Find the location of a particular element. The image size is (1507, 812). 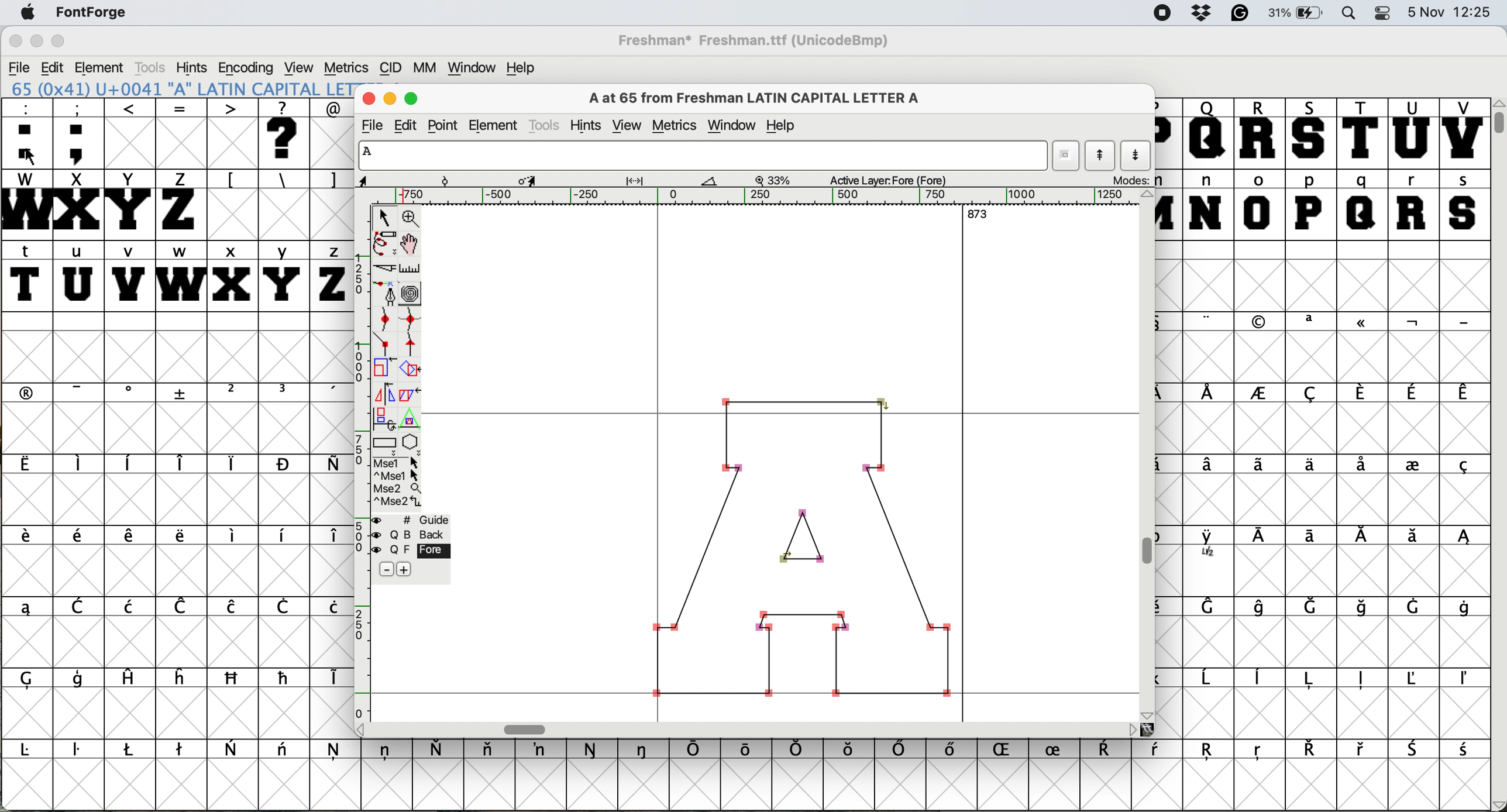

horizontal scale is located at coordinates (761, 197).